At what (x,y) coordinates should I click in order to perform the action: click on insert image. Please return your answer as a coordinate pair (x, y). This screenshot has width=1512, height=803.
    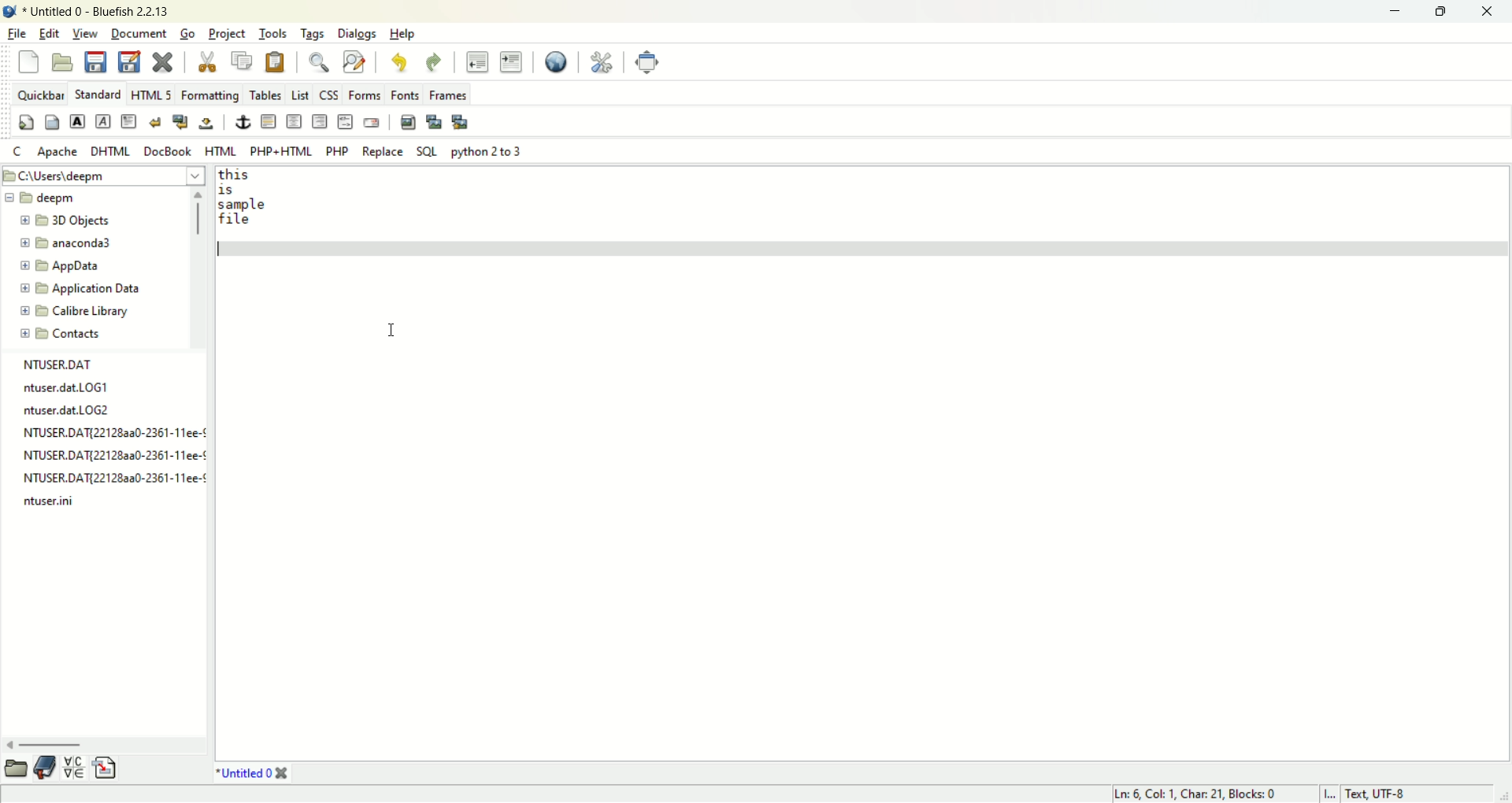
    Looking at the image, I should click on (406, 122).